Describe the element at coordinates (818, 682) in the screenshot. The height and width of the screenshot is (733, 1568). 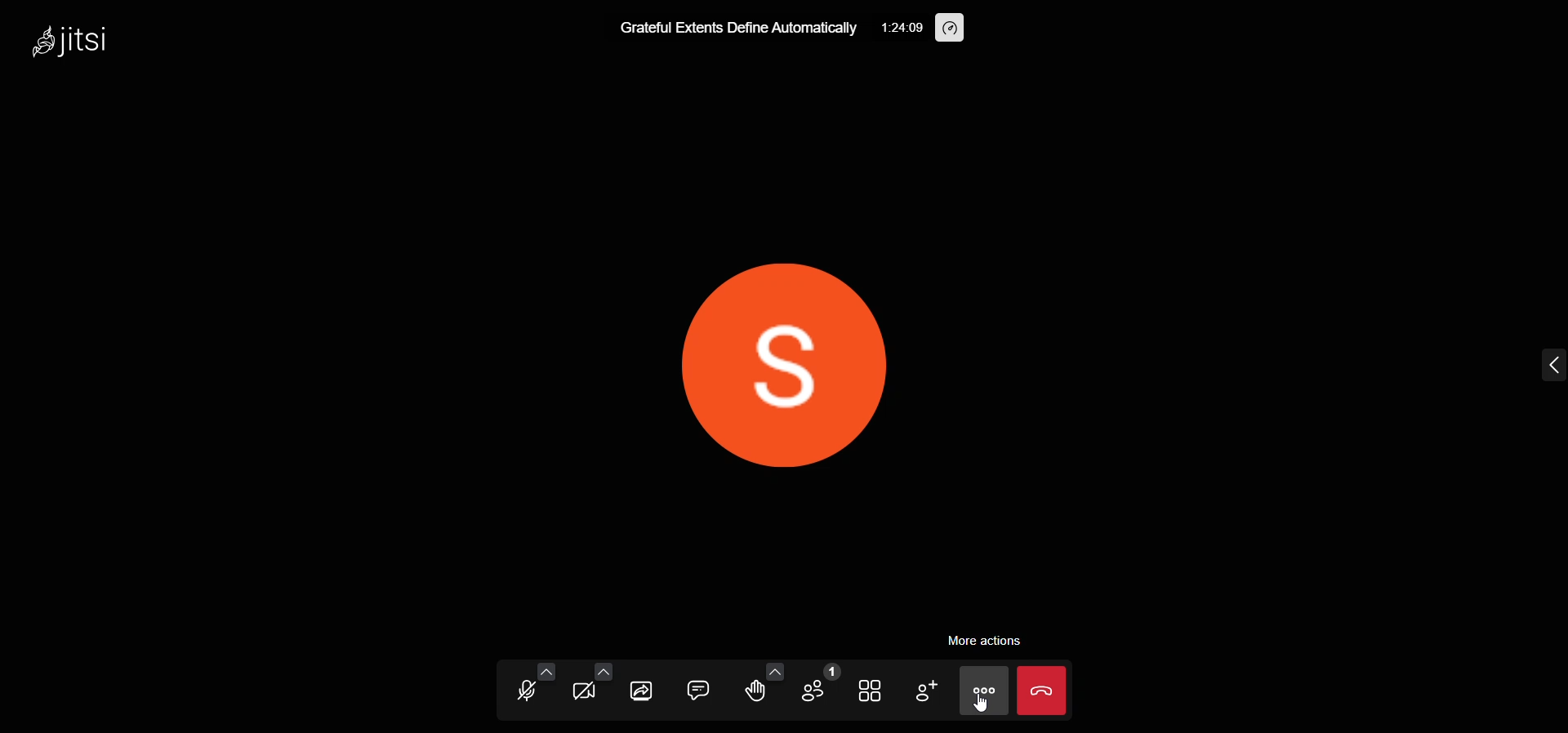
I see `participants` at that location.